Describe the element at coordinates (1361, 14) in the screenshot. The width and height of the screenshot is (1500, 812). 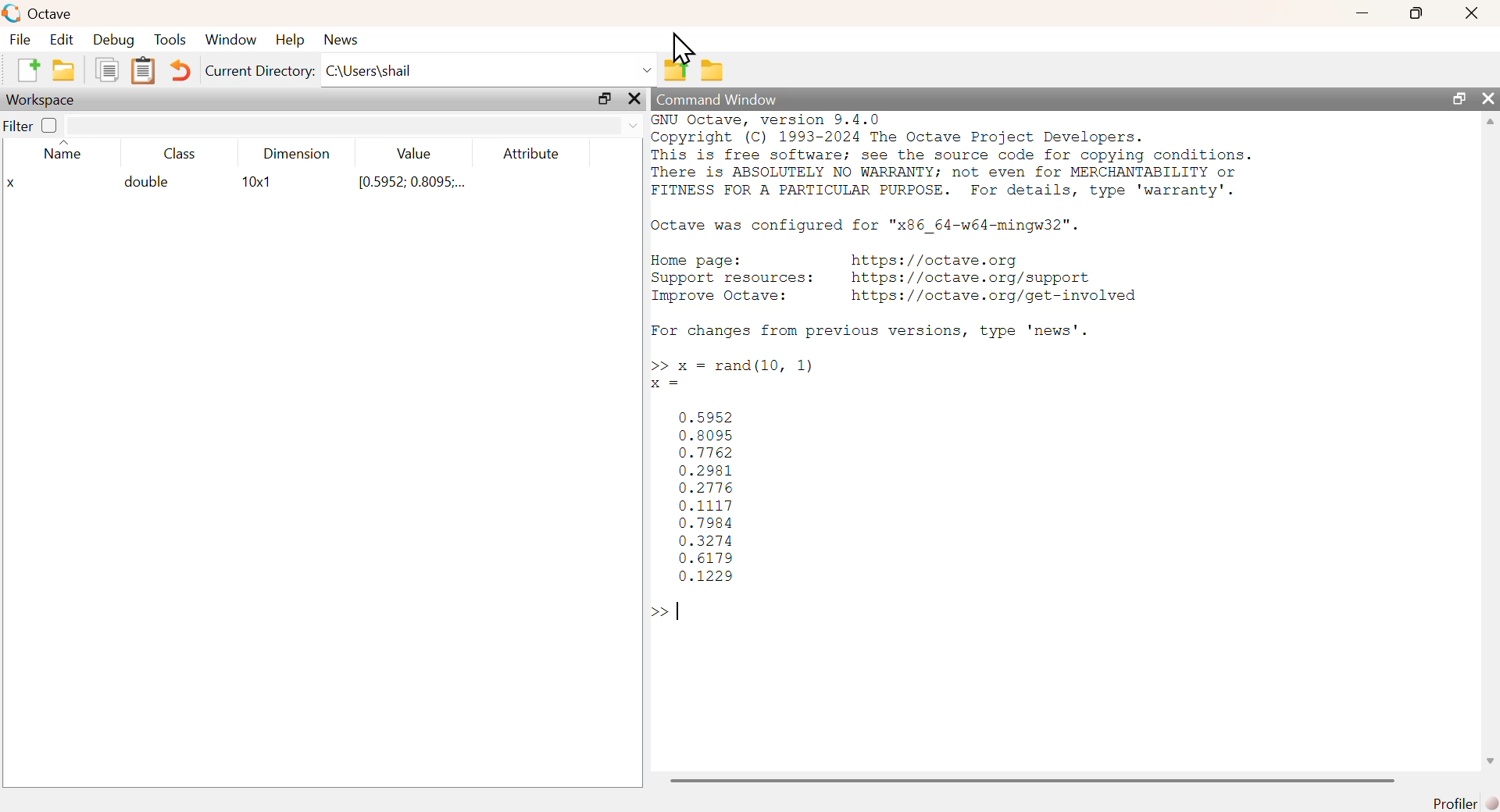
I see `minimize` at that location.